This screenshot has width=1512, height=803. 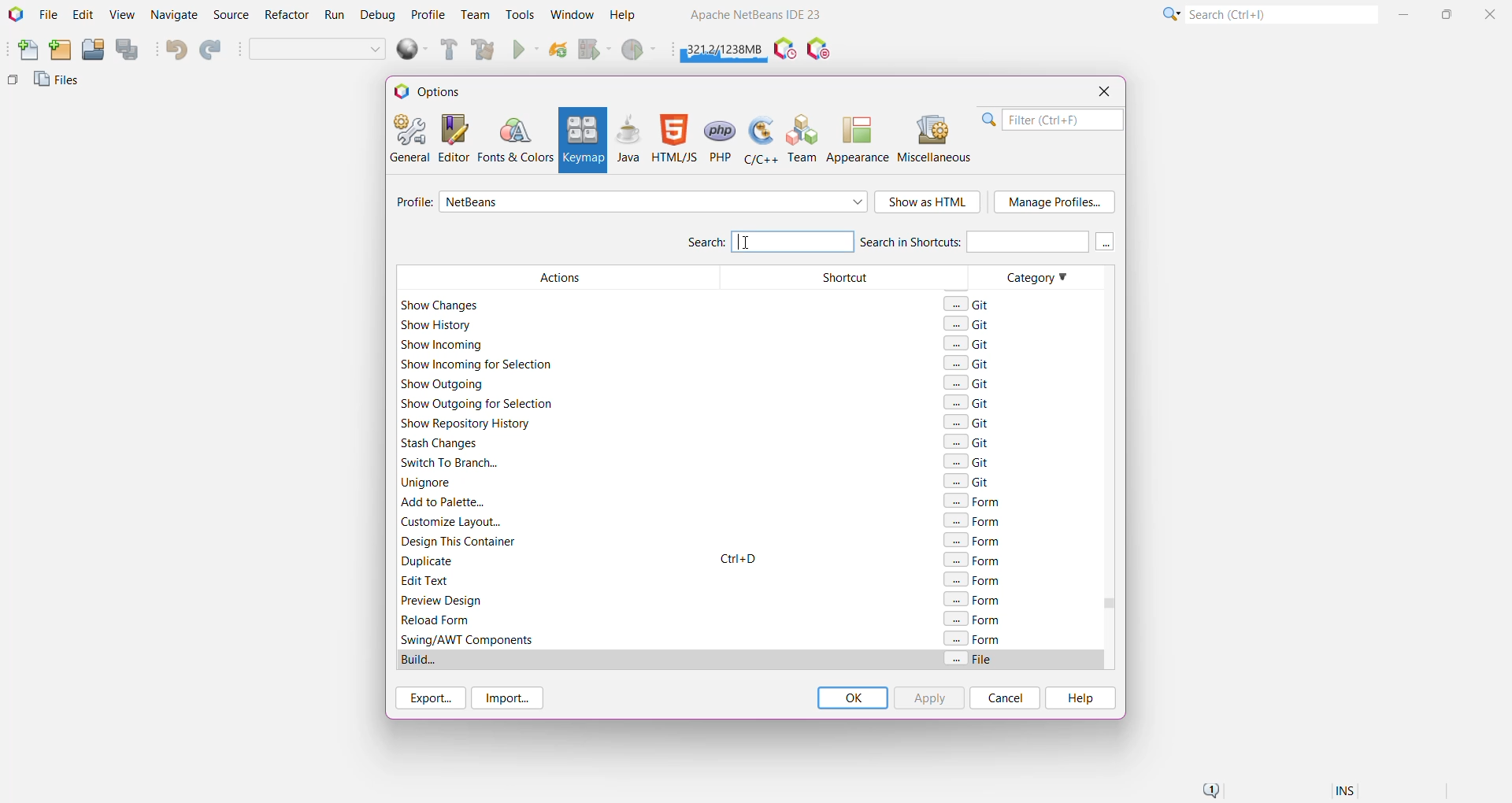 I want to click on Options, so click(x=435, y=91).